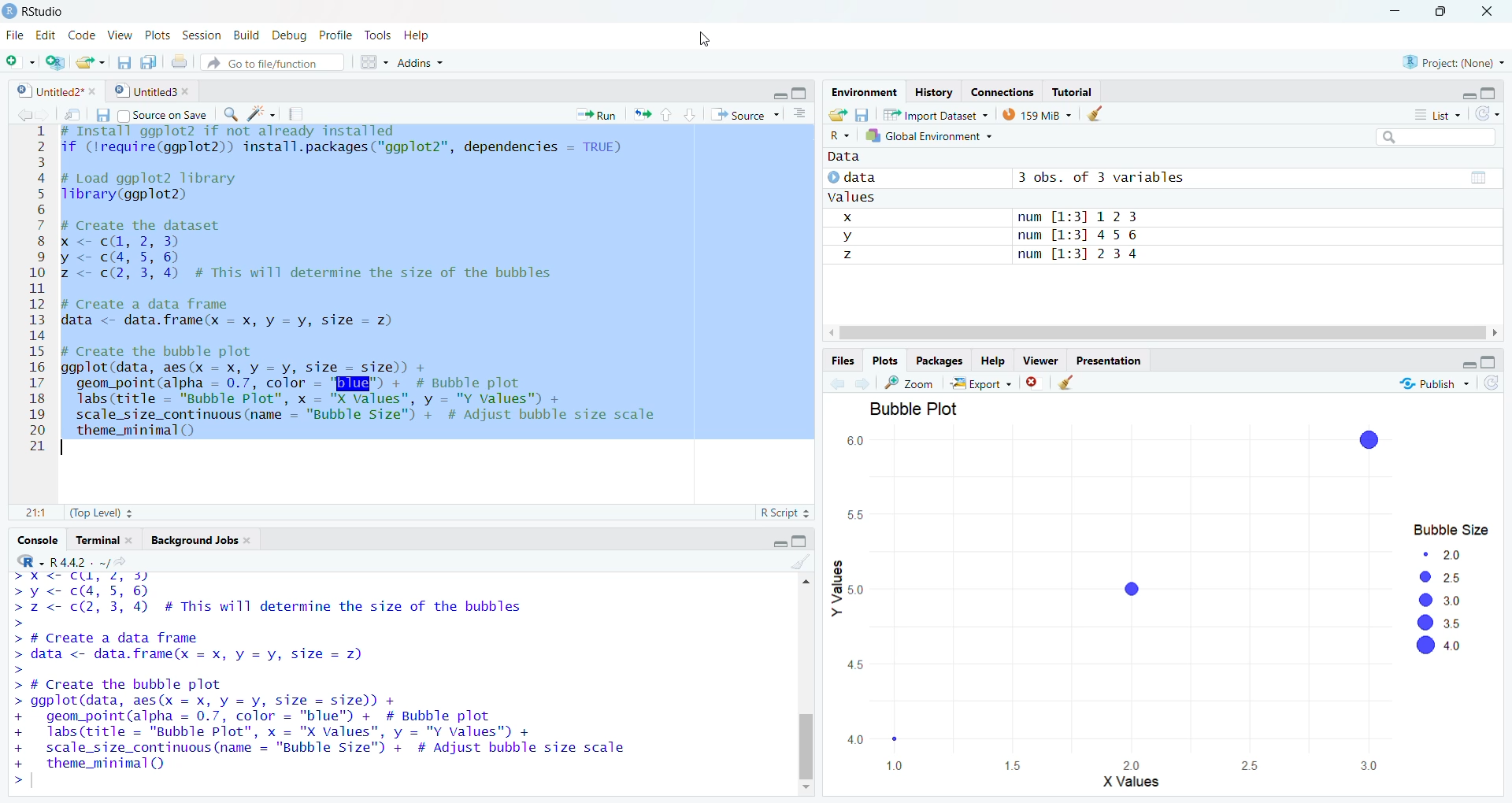  I want to click on R~, so click(839, 136).